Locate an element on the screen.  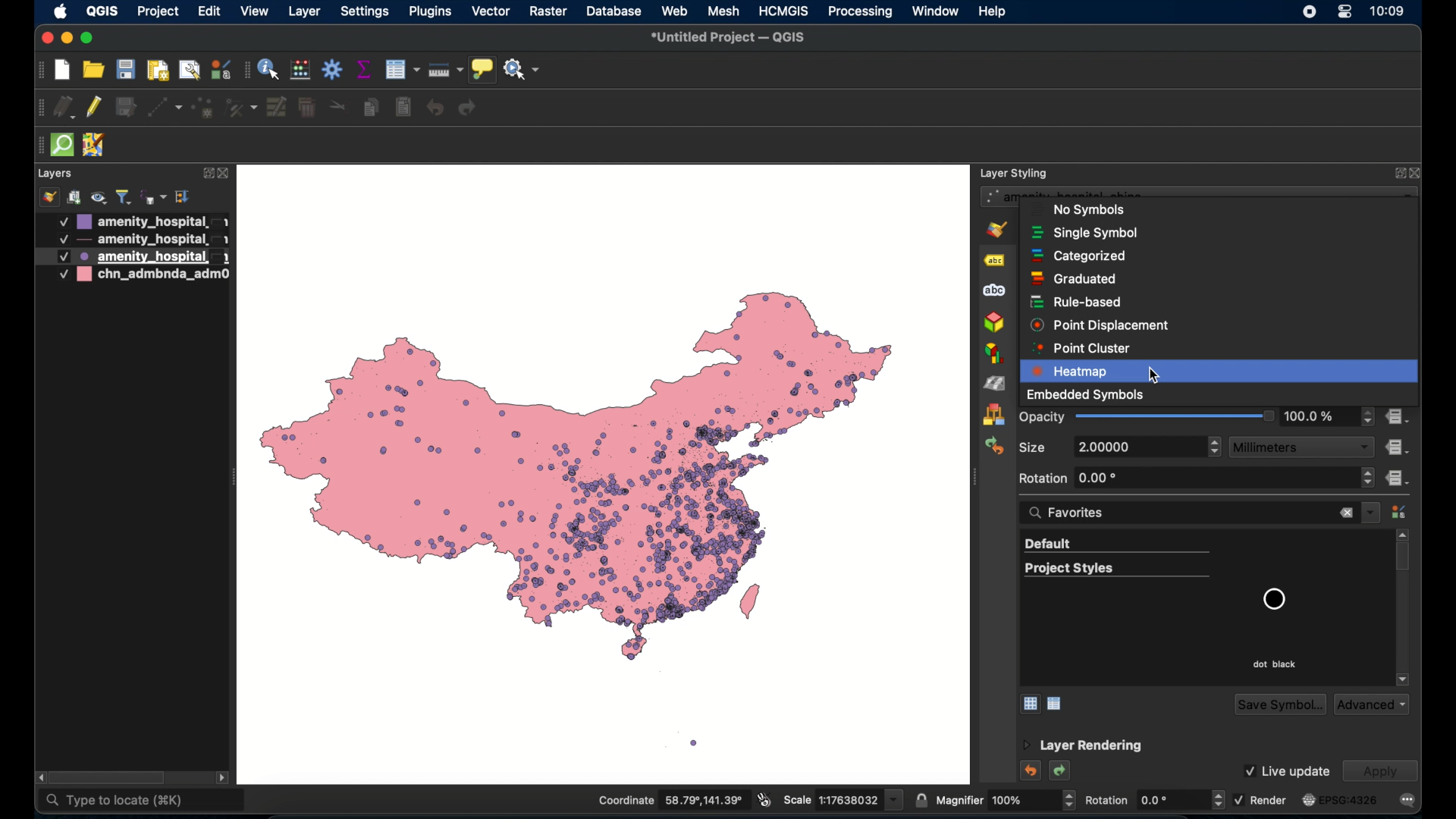
list view is located at coordinates (1057, 704).